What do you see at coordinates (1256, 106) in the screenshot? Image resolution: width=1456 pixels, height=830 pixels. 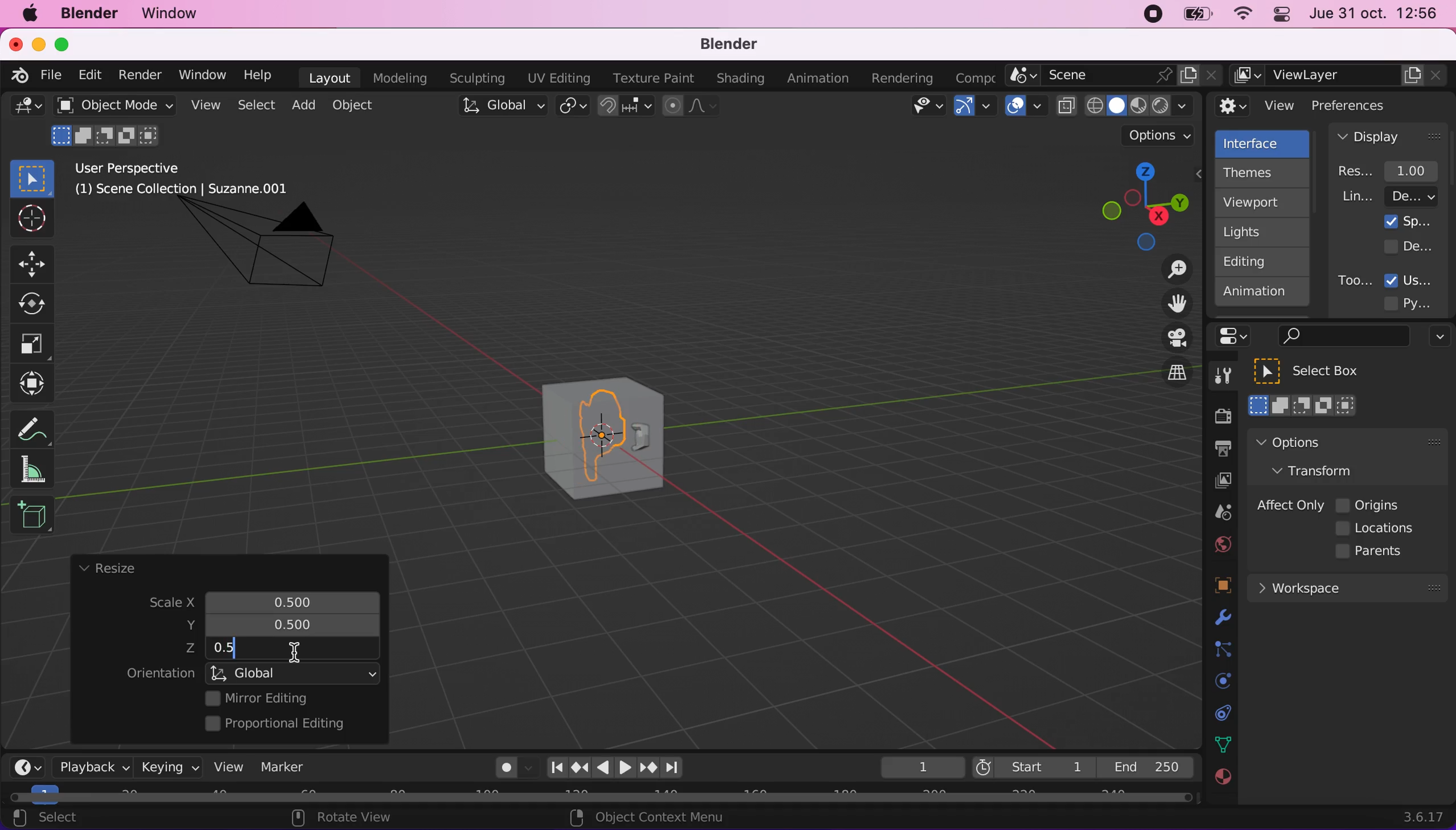 I see `view` at bounding box center [1256, 106].